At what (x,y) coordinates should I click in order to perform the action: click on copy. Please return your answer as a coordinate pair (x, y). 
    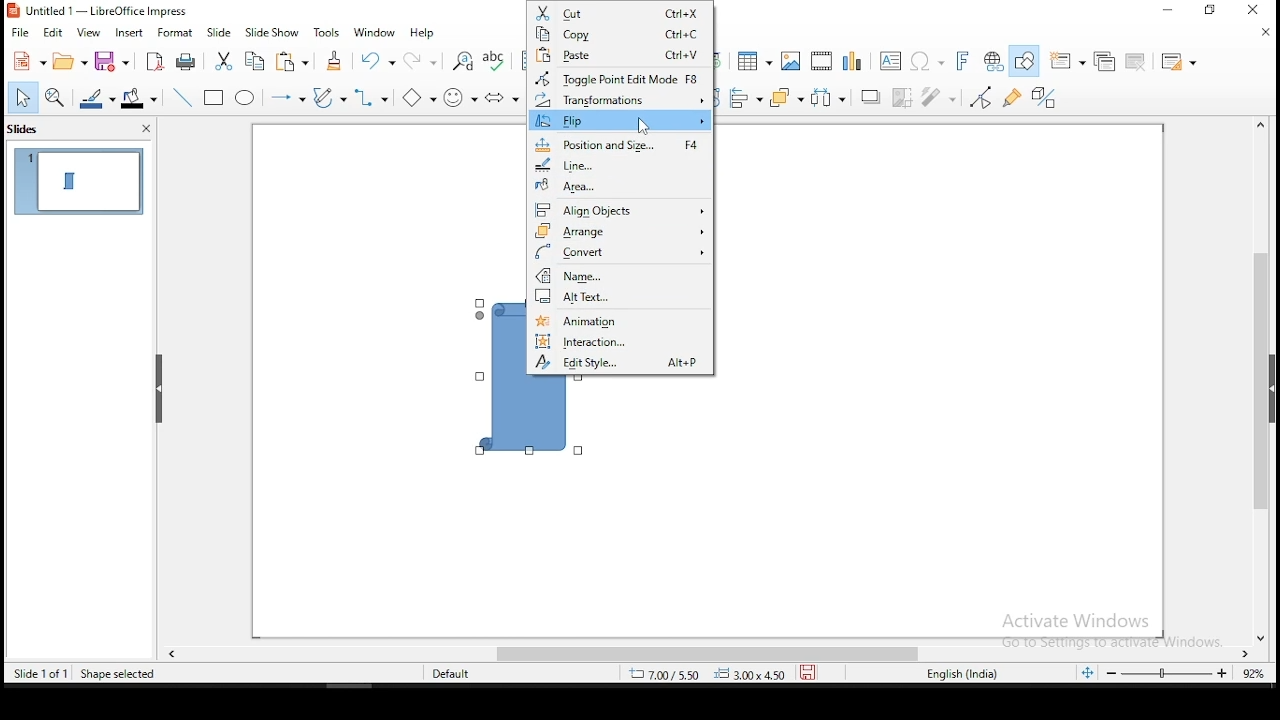
    Looking at the image, I should click on (622, 32).